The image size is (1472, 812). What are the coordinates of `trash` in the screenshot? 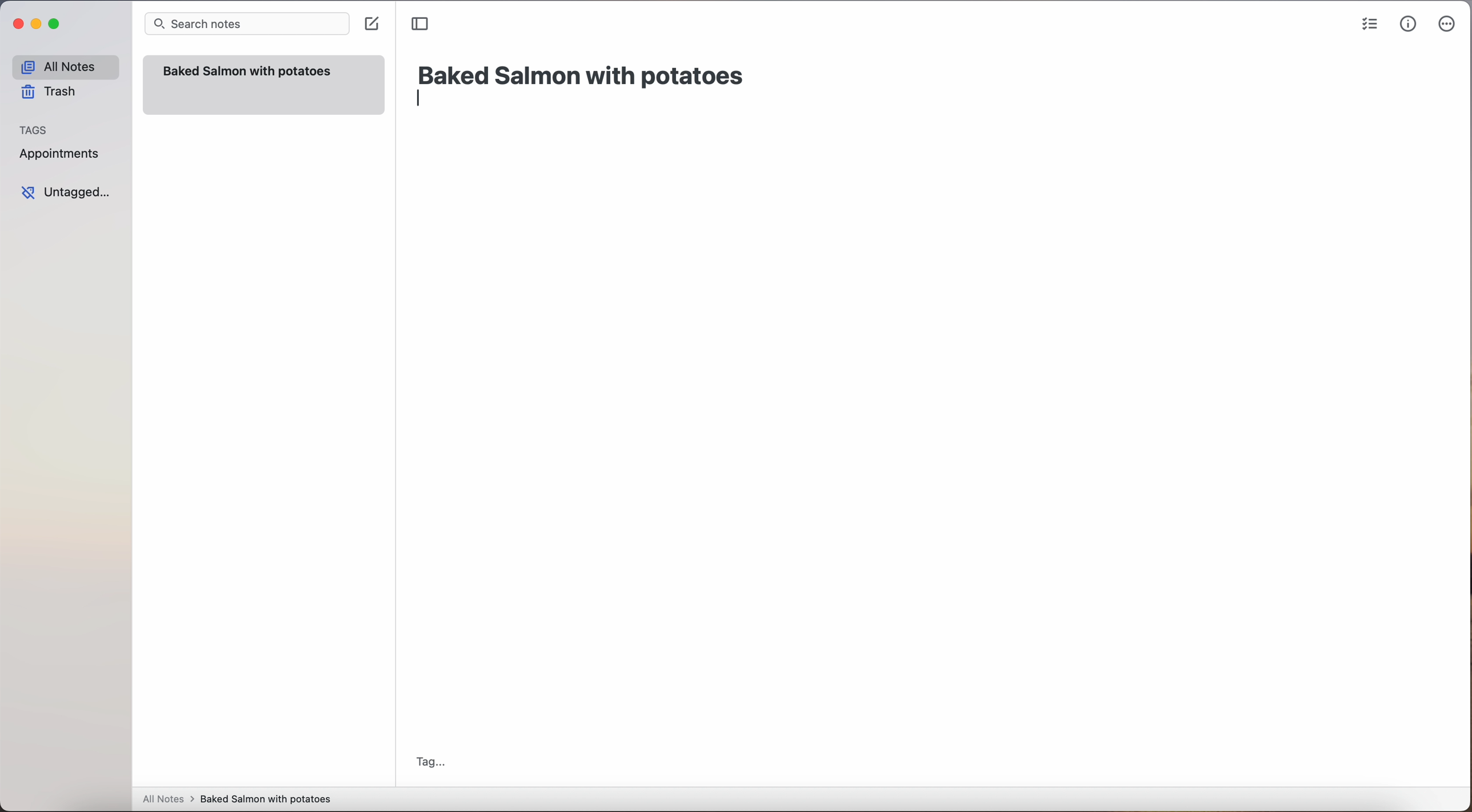 It's located at (53, 92).